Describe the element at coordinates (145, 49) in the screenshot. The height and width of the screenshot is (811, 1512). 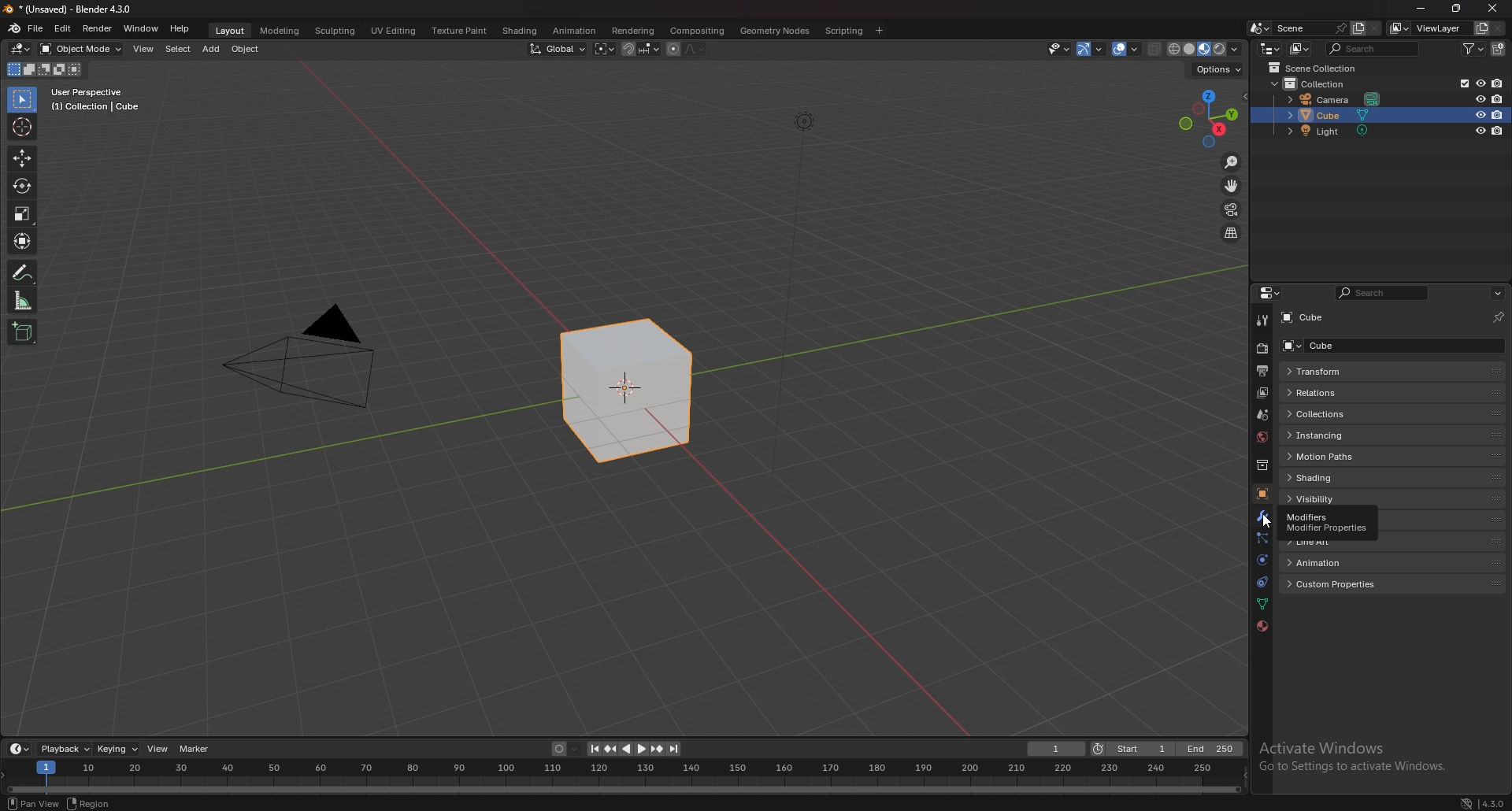
I see `view` at that location.